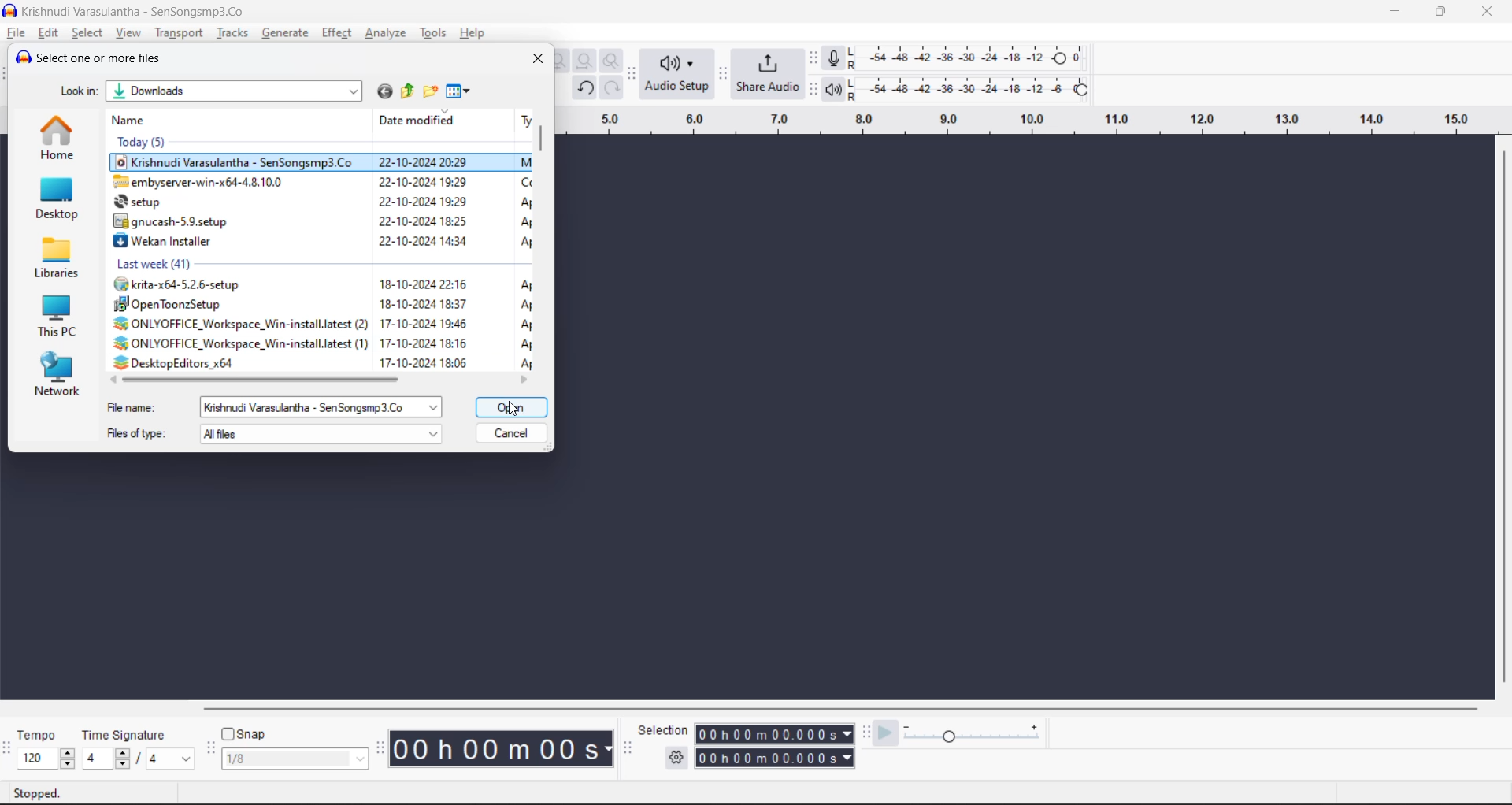 Image resolution: width=1512 pixels, height=805 pixels. What do you see at coordinates (388, 33) in the screenshot?
I see `analyze` at bounding box center [388, 33].